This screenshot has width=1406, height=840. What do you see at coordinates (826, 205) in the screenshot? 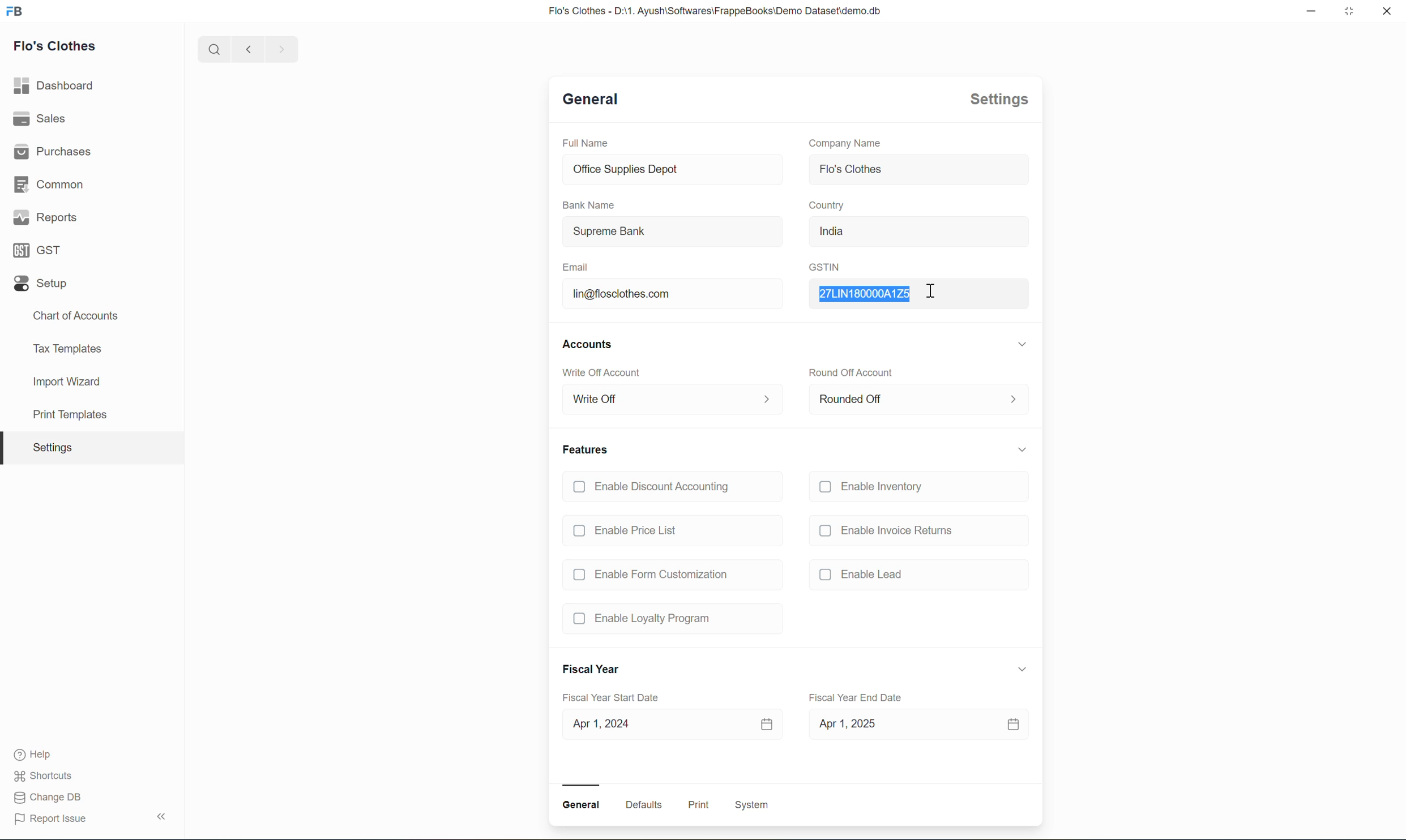
I see `Country` at bounding box center [826, 205].